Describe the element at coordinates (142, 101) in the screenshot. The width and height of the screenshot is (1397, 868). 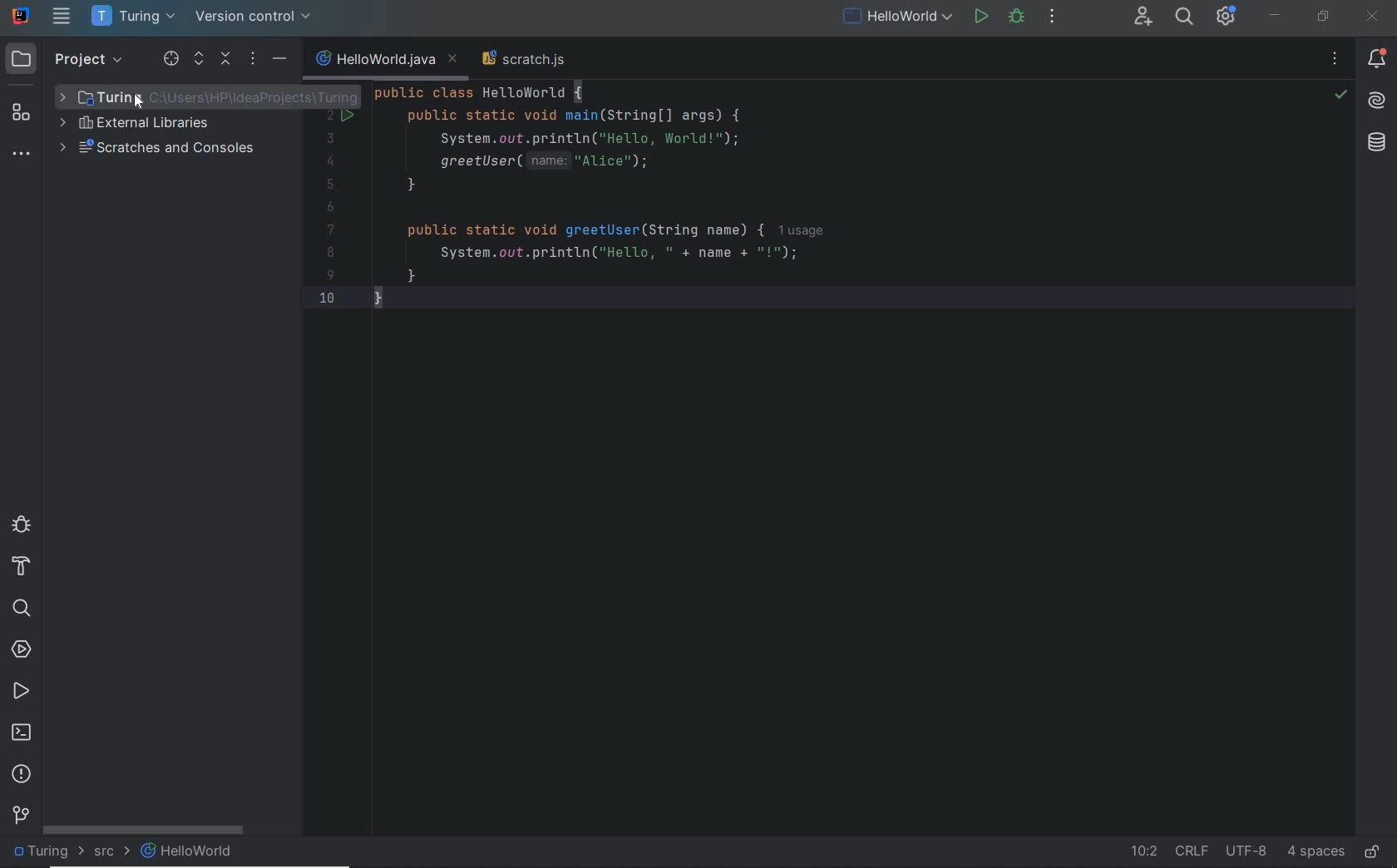
I see `cursor` at that location.